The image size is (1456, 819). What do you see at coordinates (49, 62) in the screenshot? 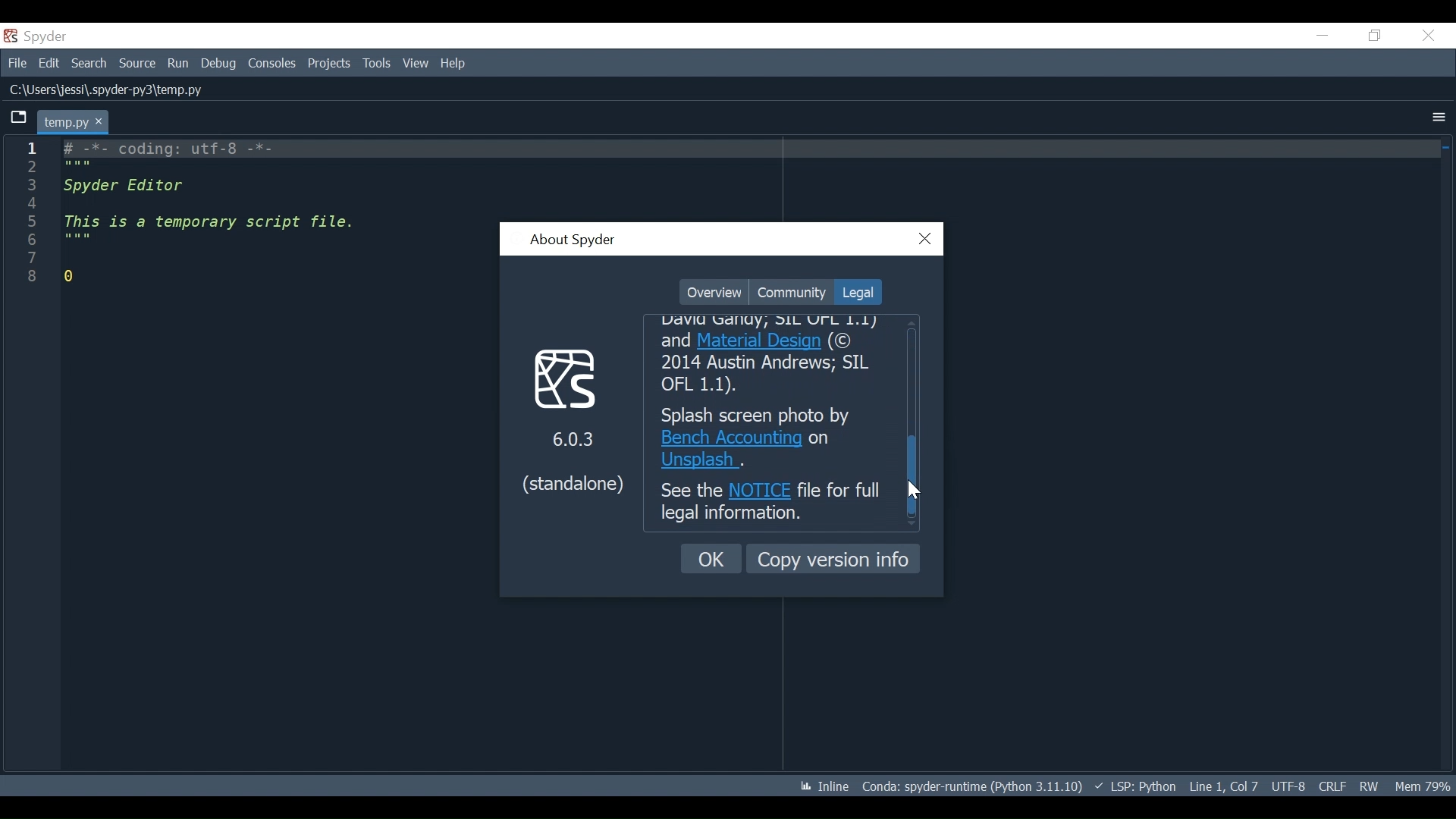
I see `Edit` at bounding box center [49, 62].